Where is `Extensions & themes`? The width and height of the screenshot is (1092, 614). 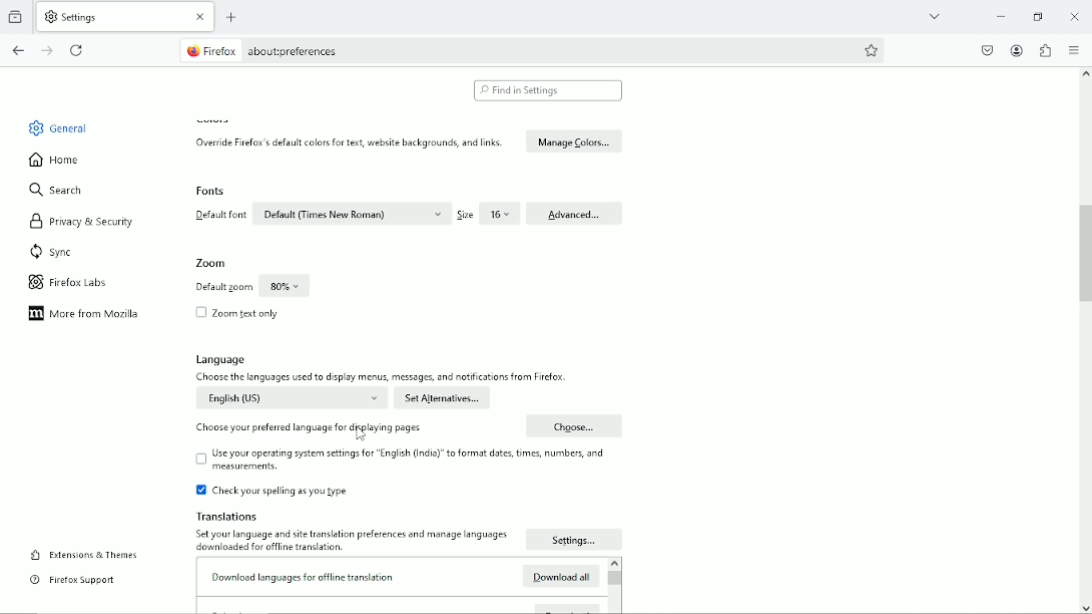
Extensions & themes is located at coordinates (102, 555).